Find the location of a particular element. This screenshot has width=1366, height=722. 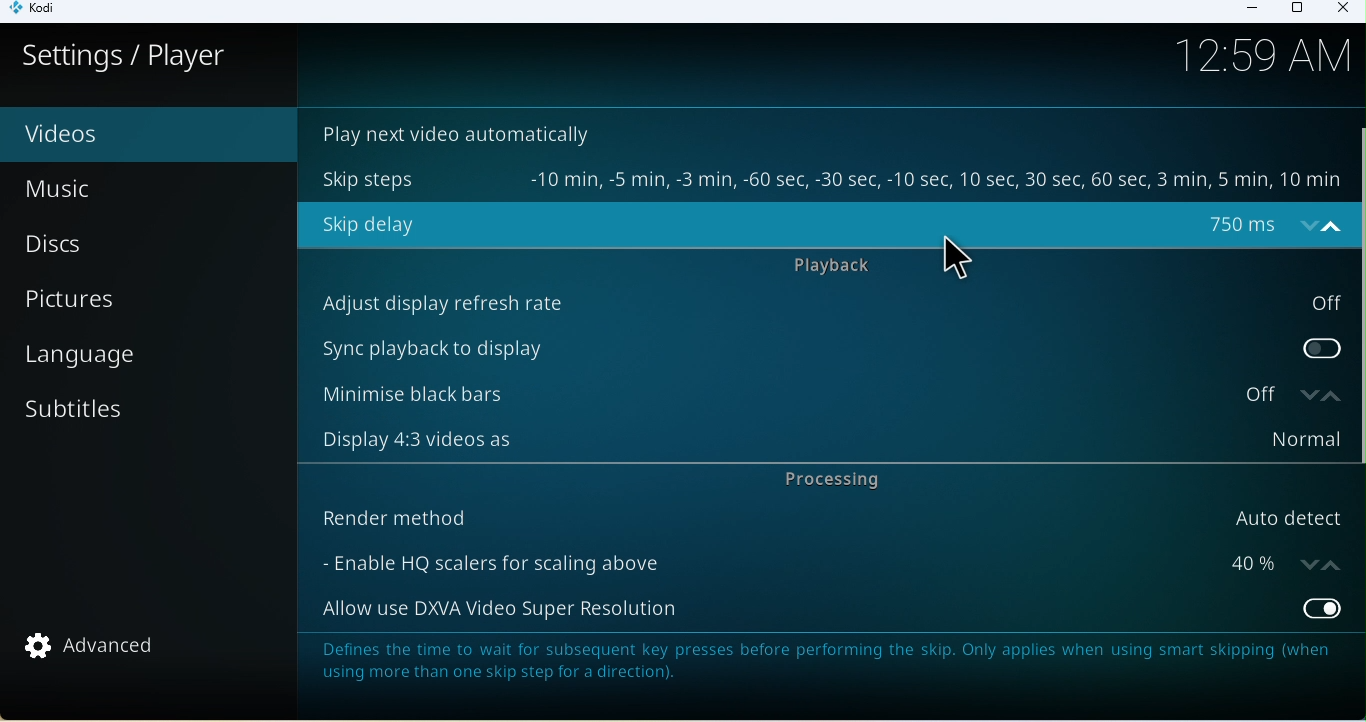

Advanced is located at coordinates (102, 649).